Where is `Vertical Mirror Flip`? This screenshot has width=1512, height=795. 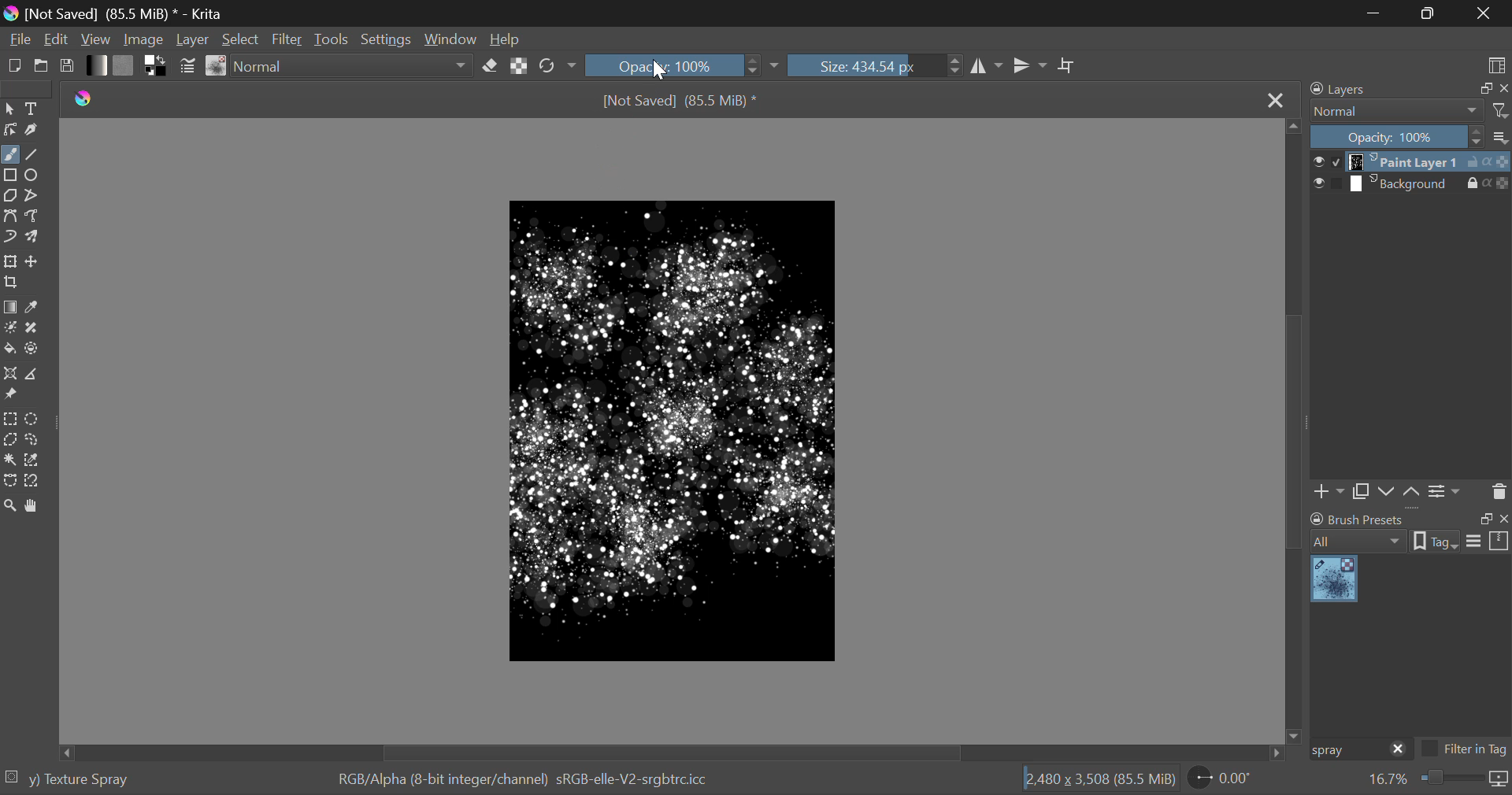 Vertical Mirror Flip is located at coordinates (984, 66).